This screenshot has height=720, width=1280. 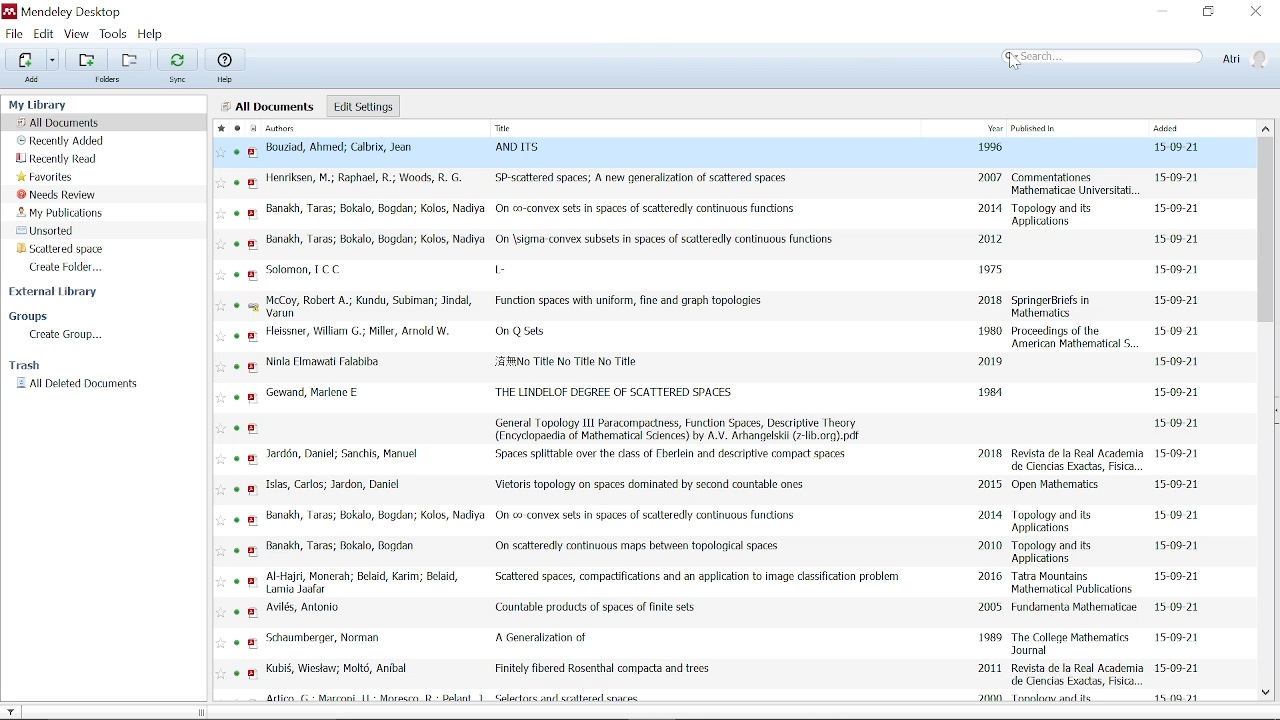 I want to click on Groups, so click(x=60, y=316).